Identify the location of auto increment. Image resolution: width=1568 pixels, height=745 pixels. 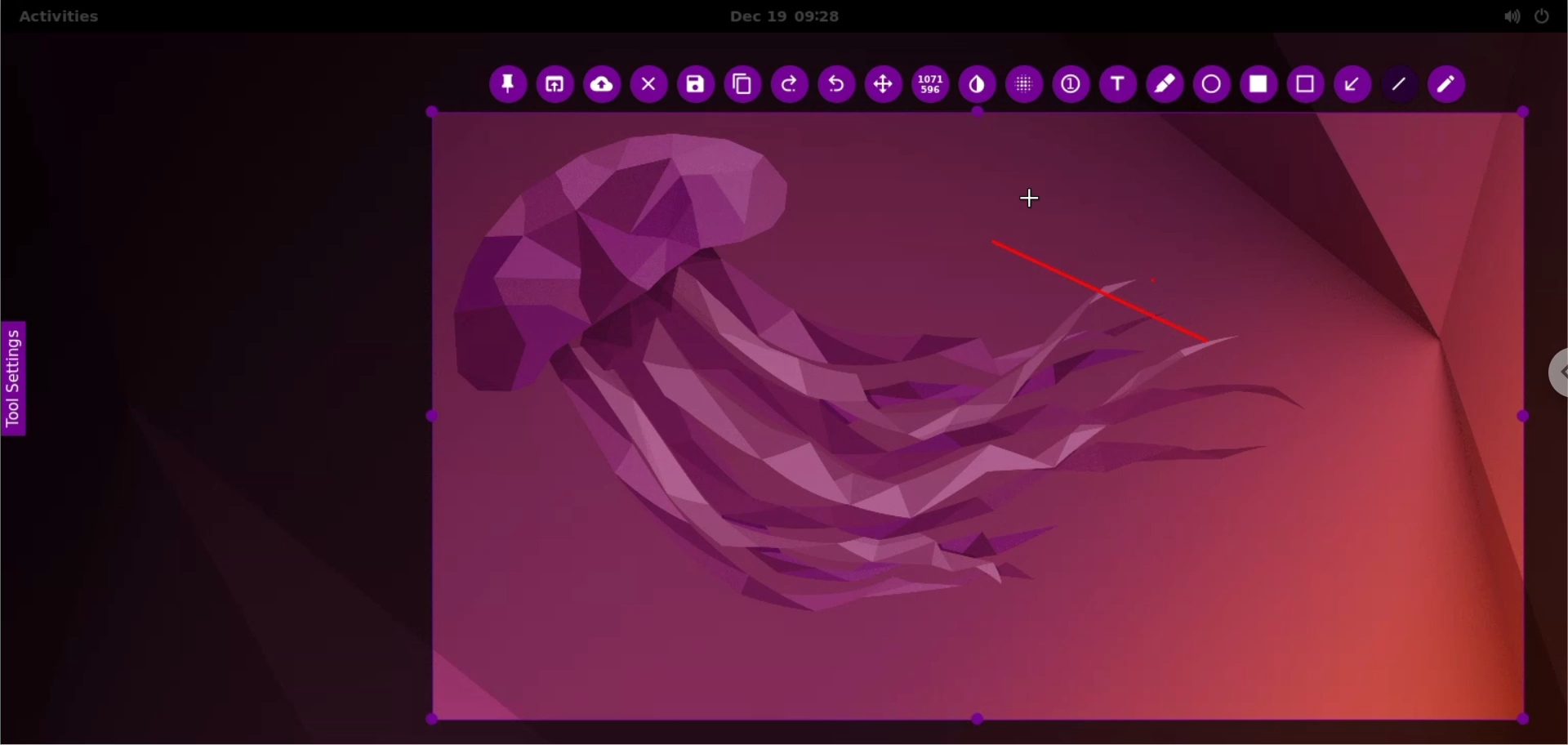
(1070, 87).